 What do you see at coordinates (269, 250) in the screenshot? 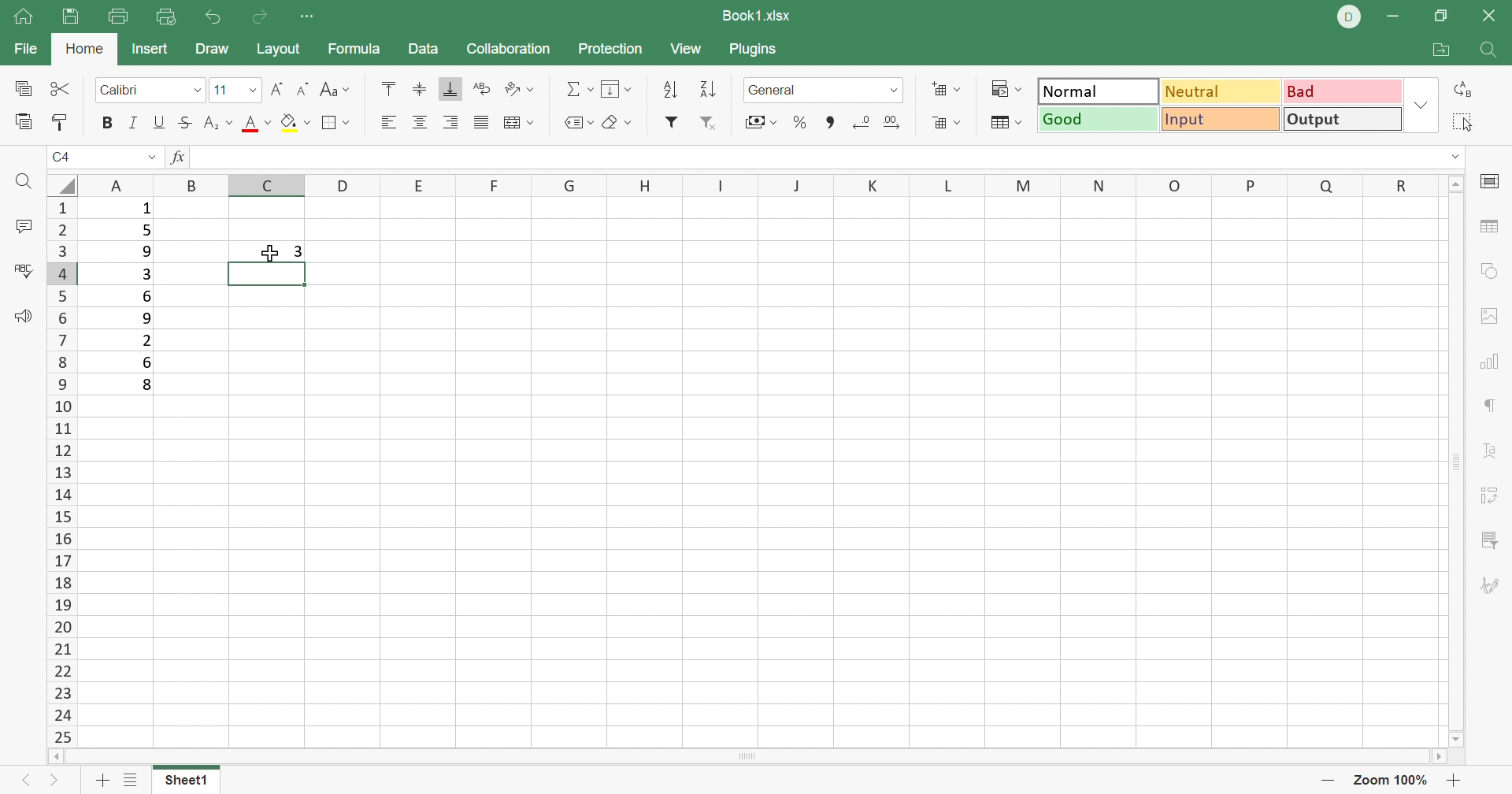
I see `Cursor` at bounding box center [269, 250].